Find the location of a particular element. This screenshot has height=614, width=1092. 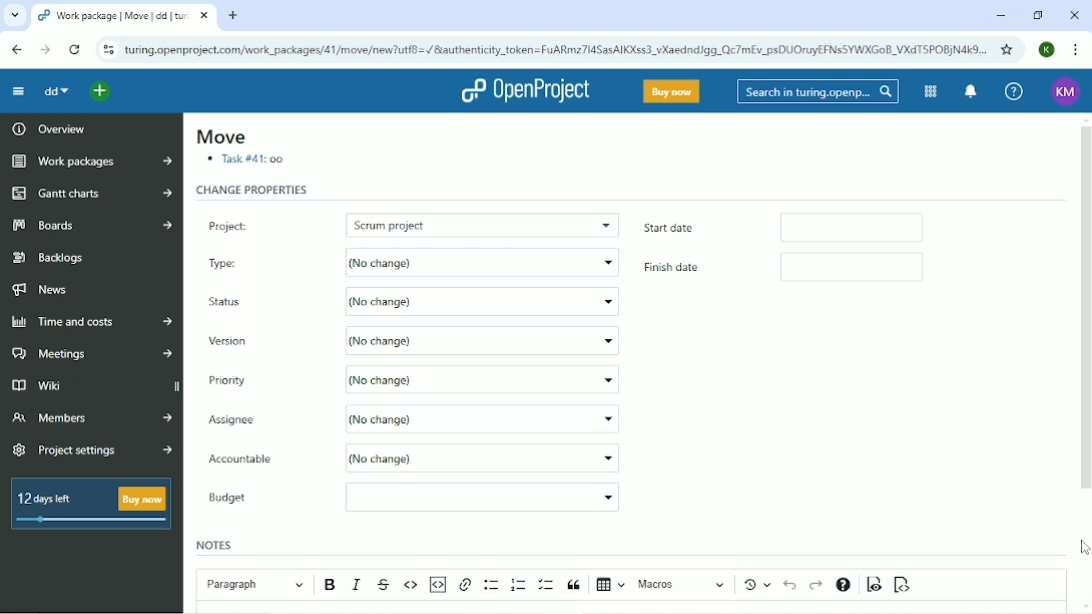

Accountable is located at coordinates (262, 460).